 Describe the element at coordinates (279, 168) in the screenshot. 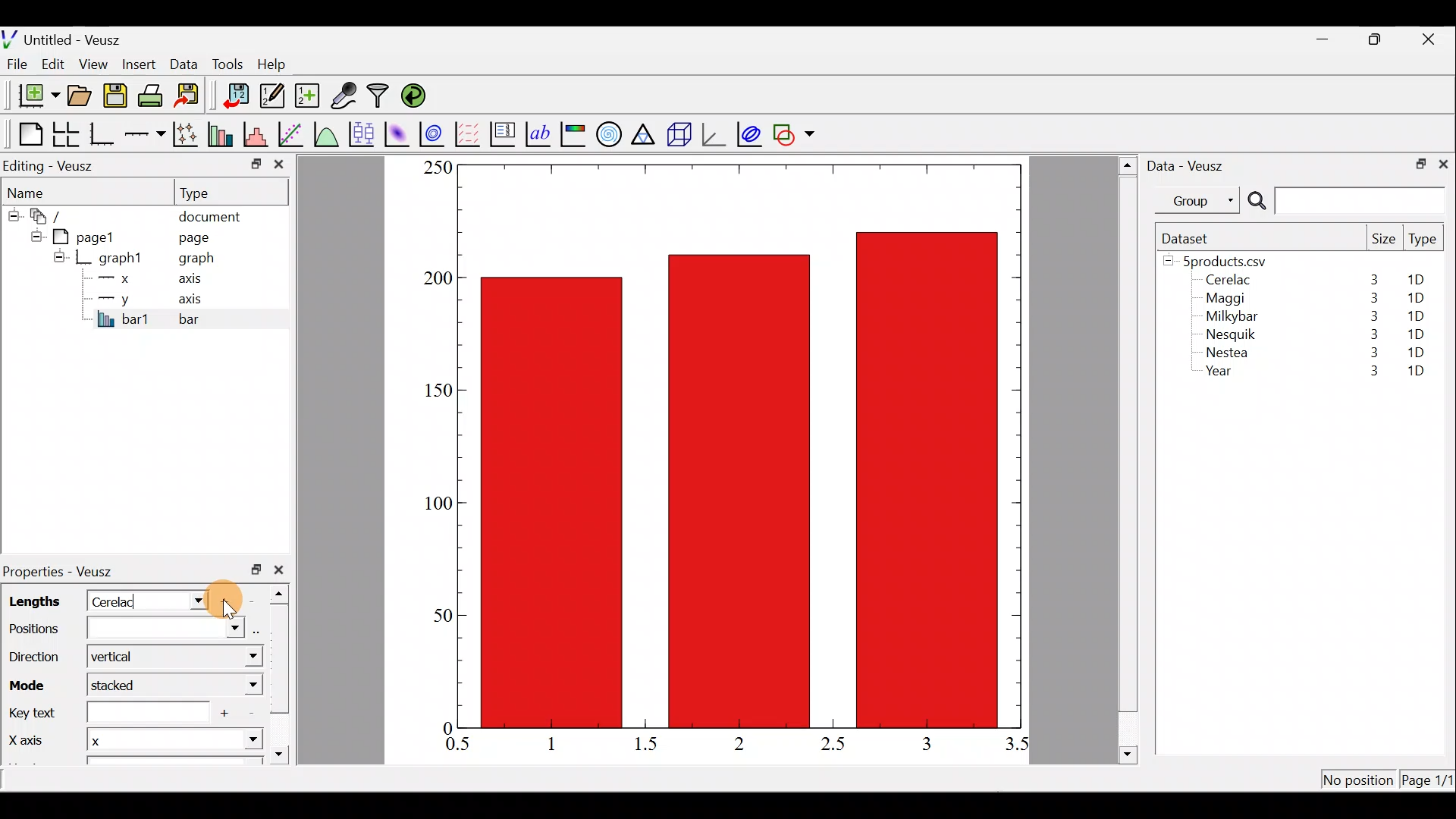

I see `close` at that location.